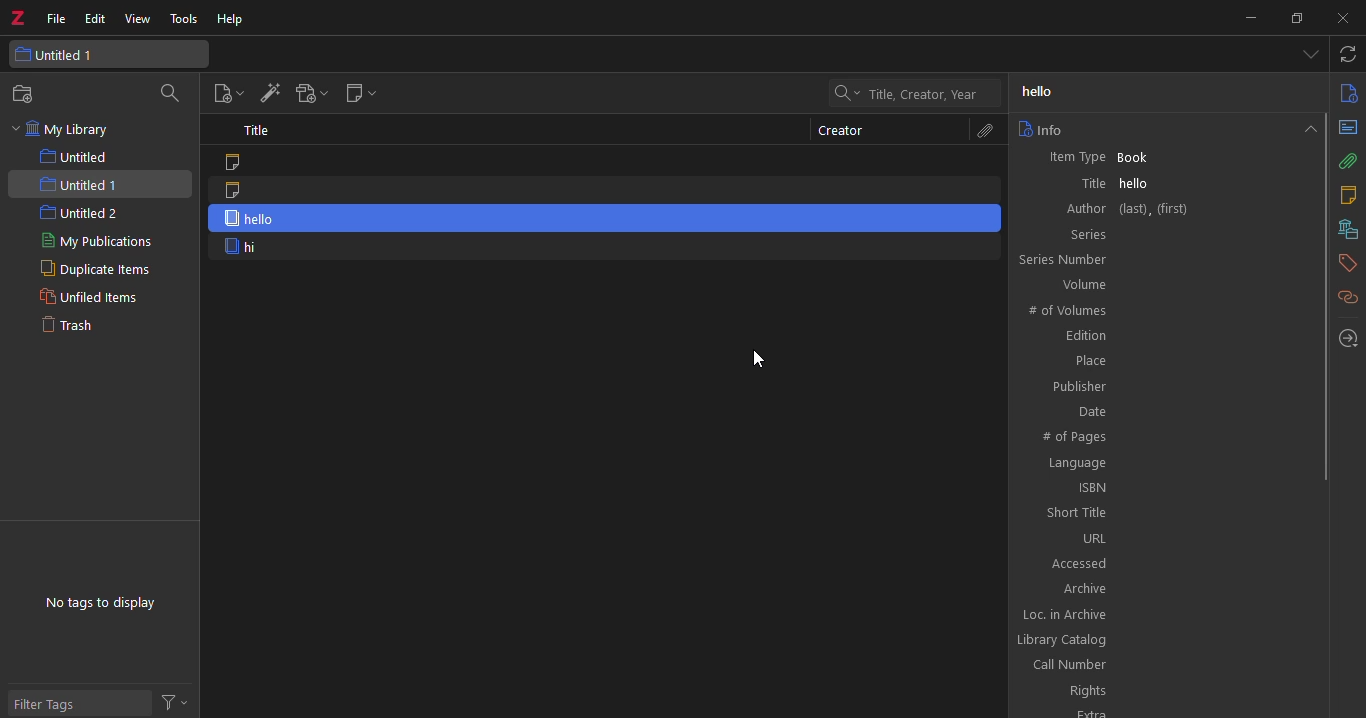  What do you see at coordinates (1165, 337) in the screenshot?
I see `Edition` at bounding box center [1165, 337].